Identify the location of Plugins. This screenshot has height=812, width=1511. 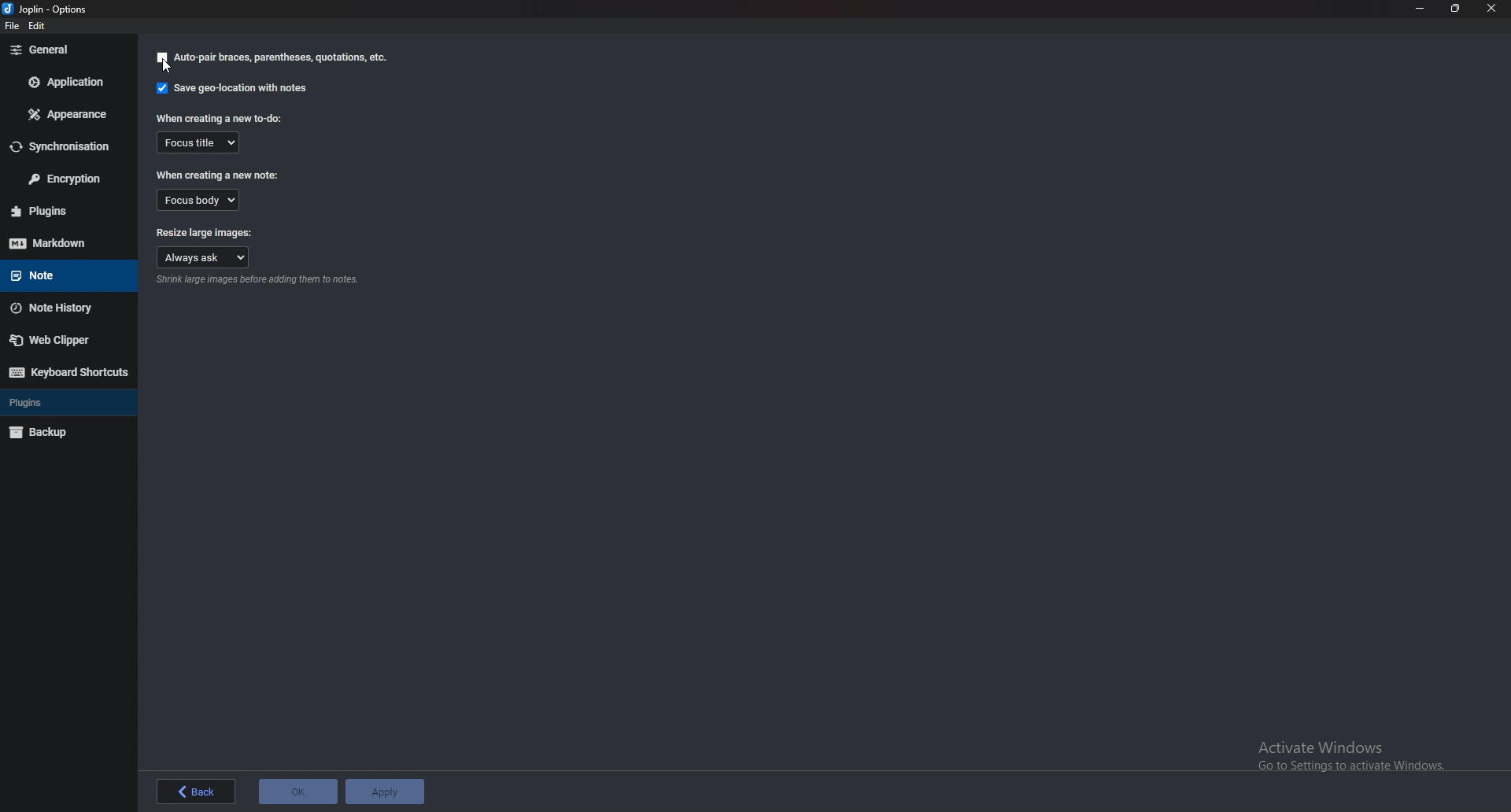
(65, 209).